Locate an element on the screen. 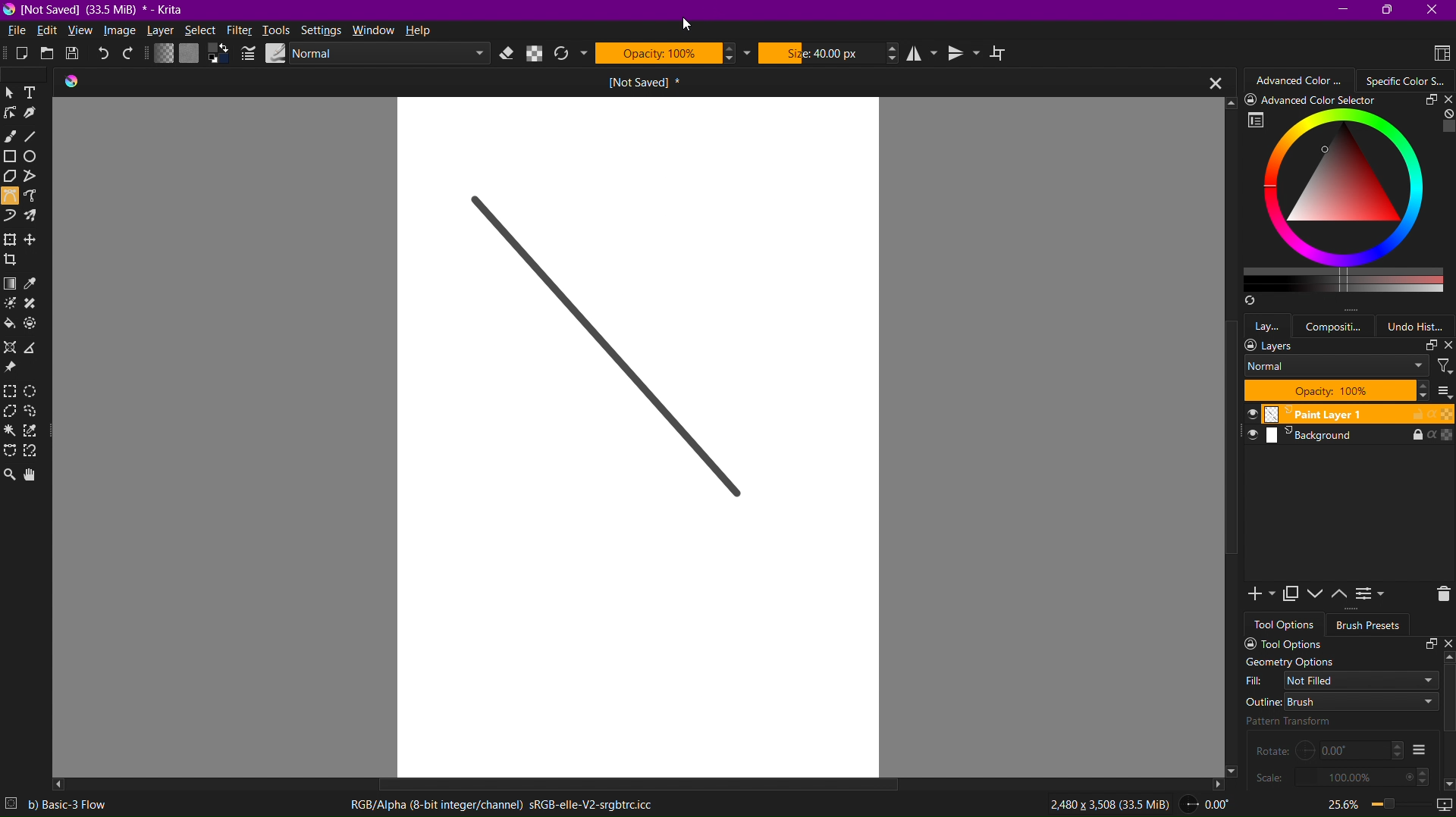  Zoom Tool is located at coordinates (10, 473).